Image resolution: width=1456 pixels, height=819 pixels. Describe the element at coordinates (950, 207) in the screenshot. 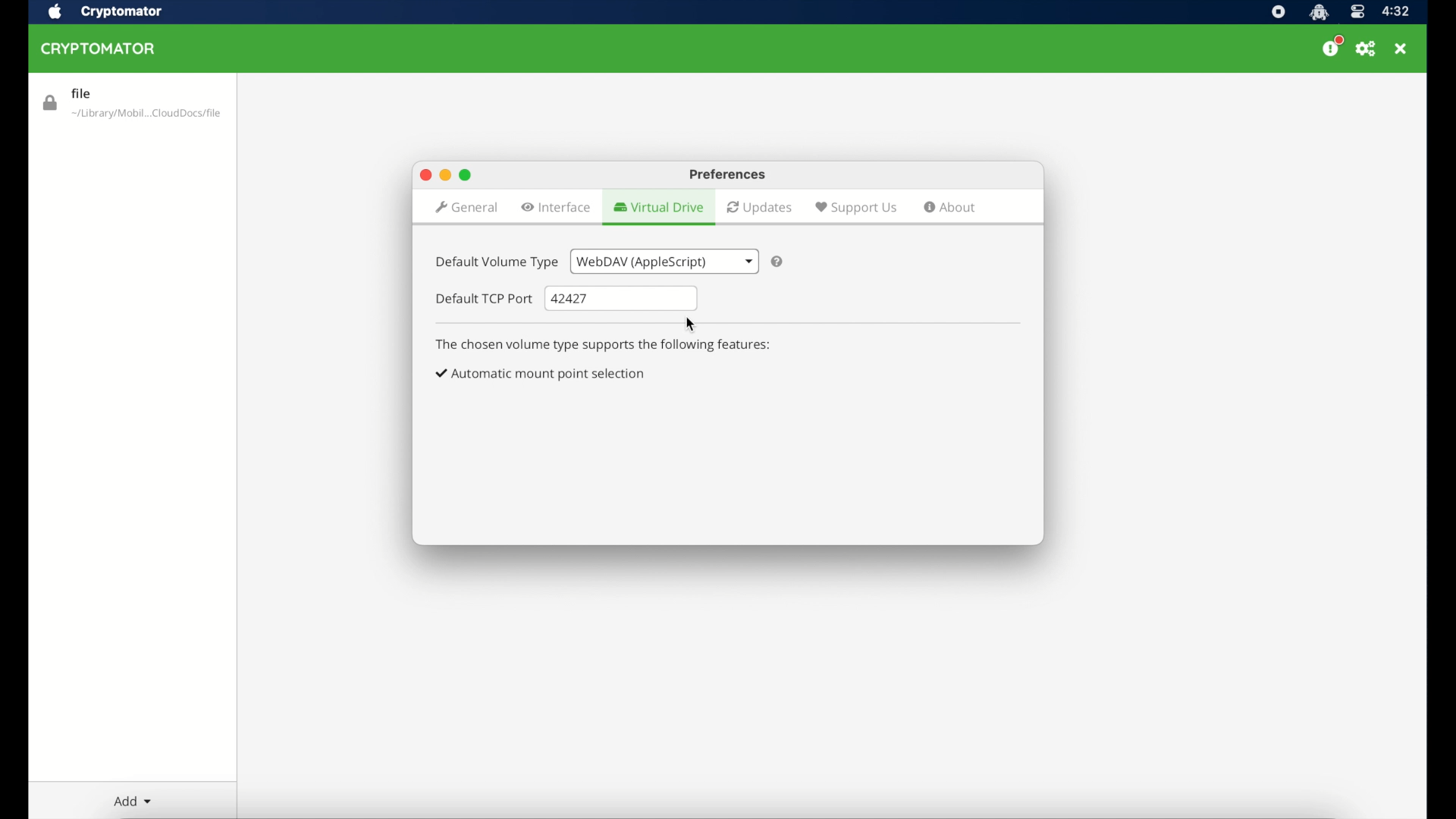

I see `about` at that location.